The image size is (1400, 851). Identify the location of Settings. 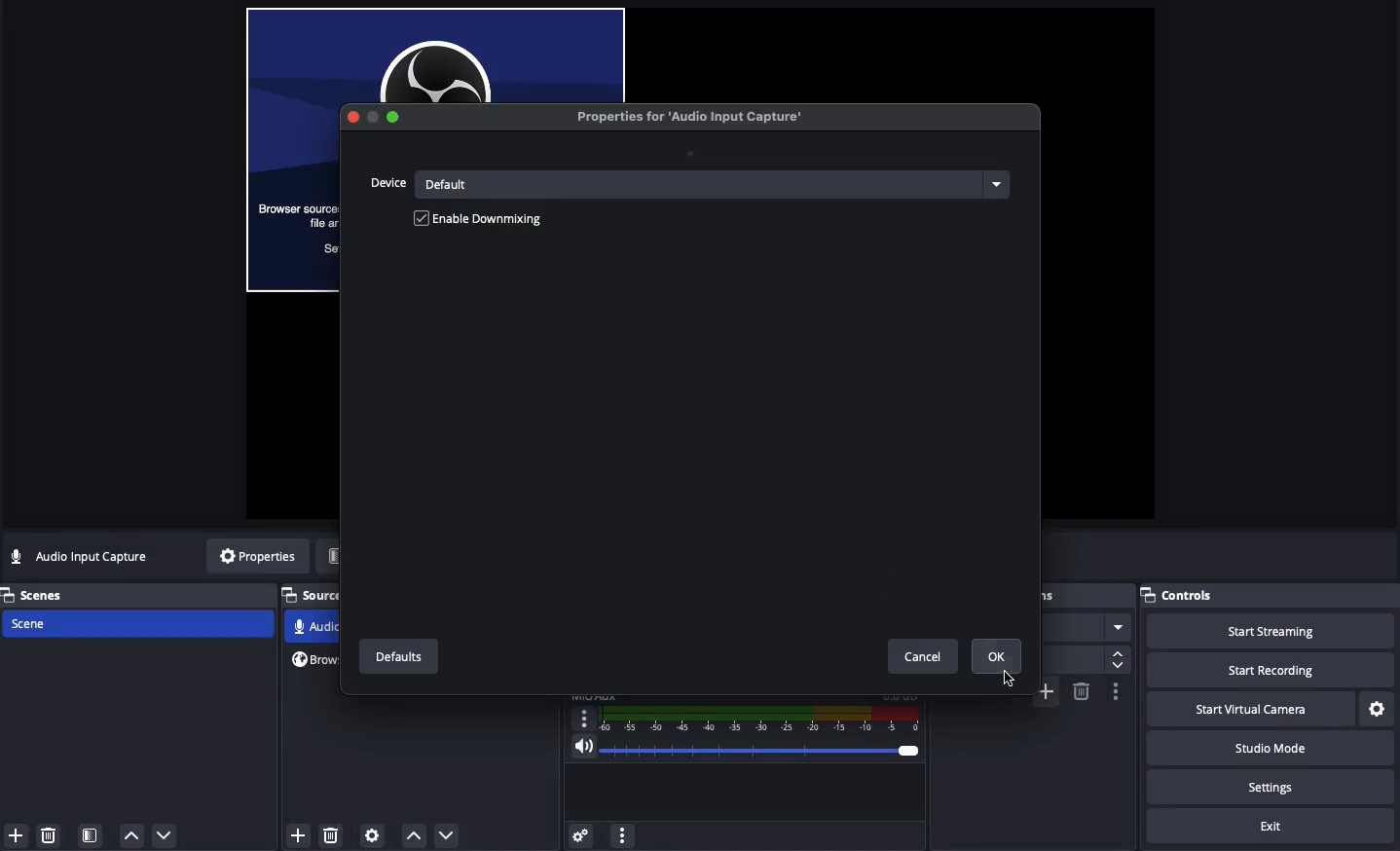
(1271, 788).